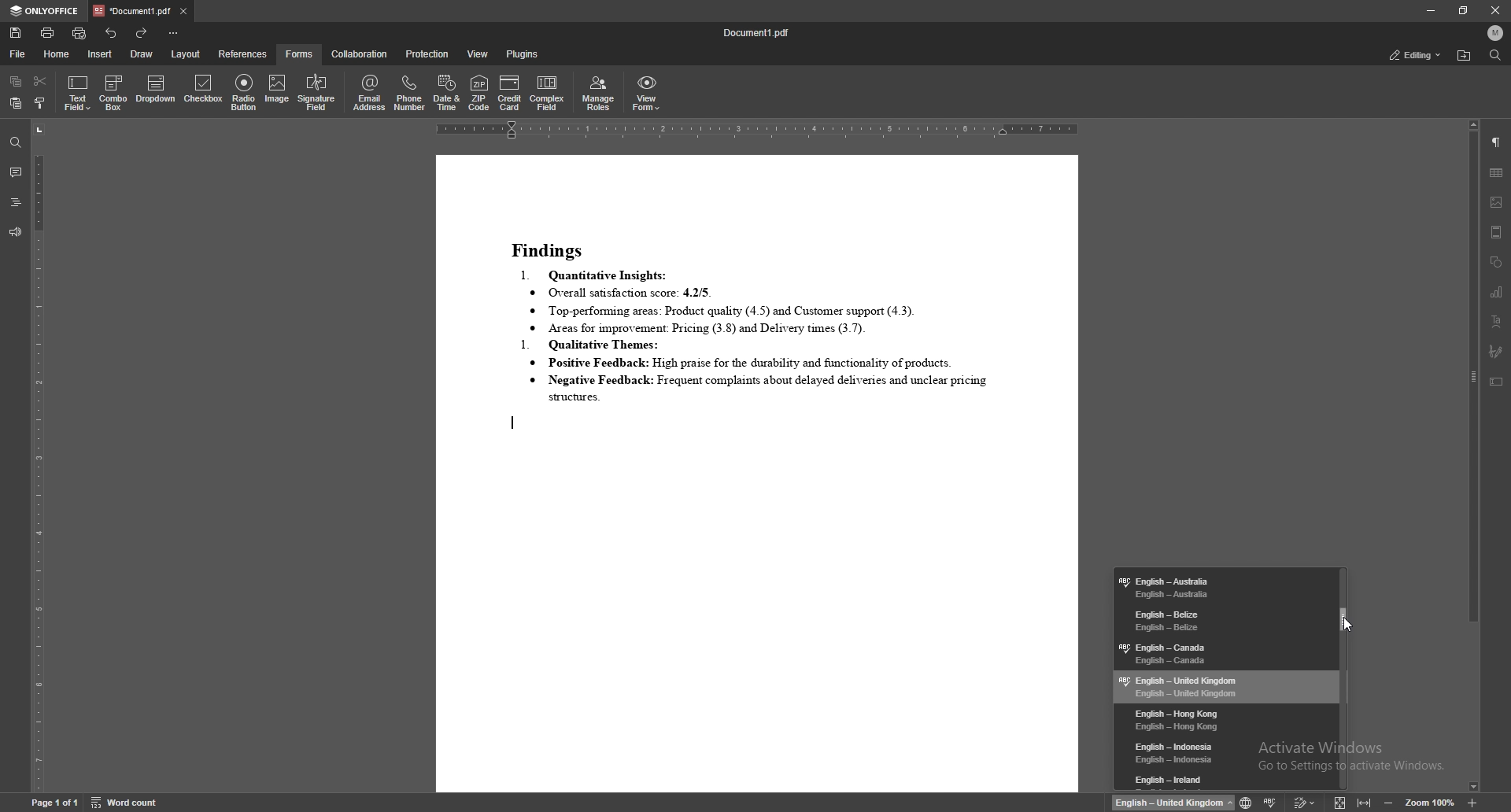 The image size is (1511, 812). Describe the element at coordinates (549, 94) in the screenshot. I see `complex field` at that location.